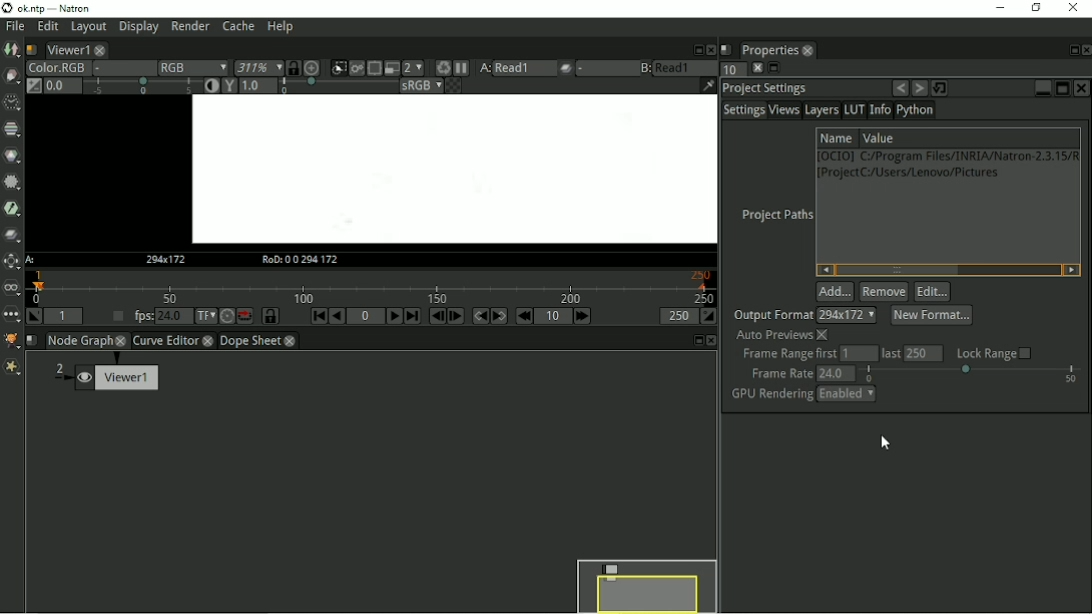  What do you see at coordinates (139, 27) in the screenshot?
I see `Display` at bounding box center [139, 27].